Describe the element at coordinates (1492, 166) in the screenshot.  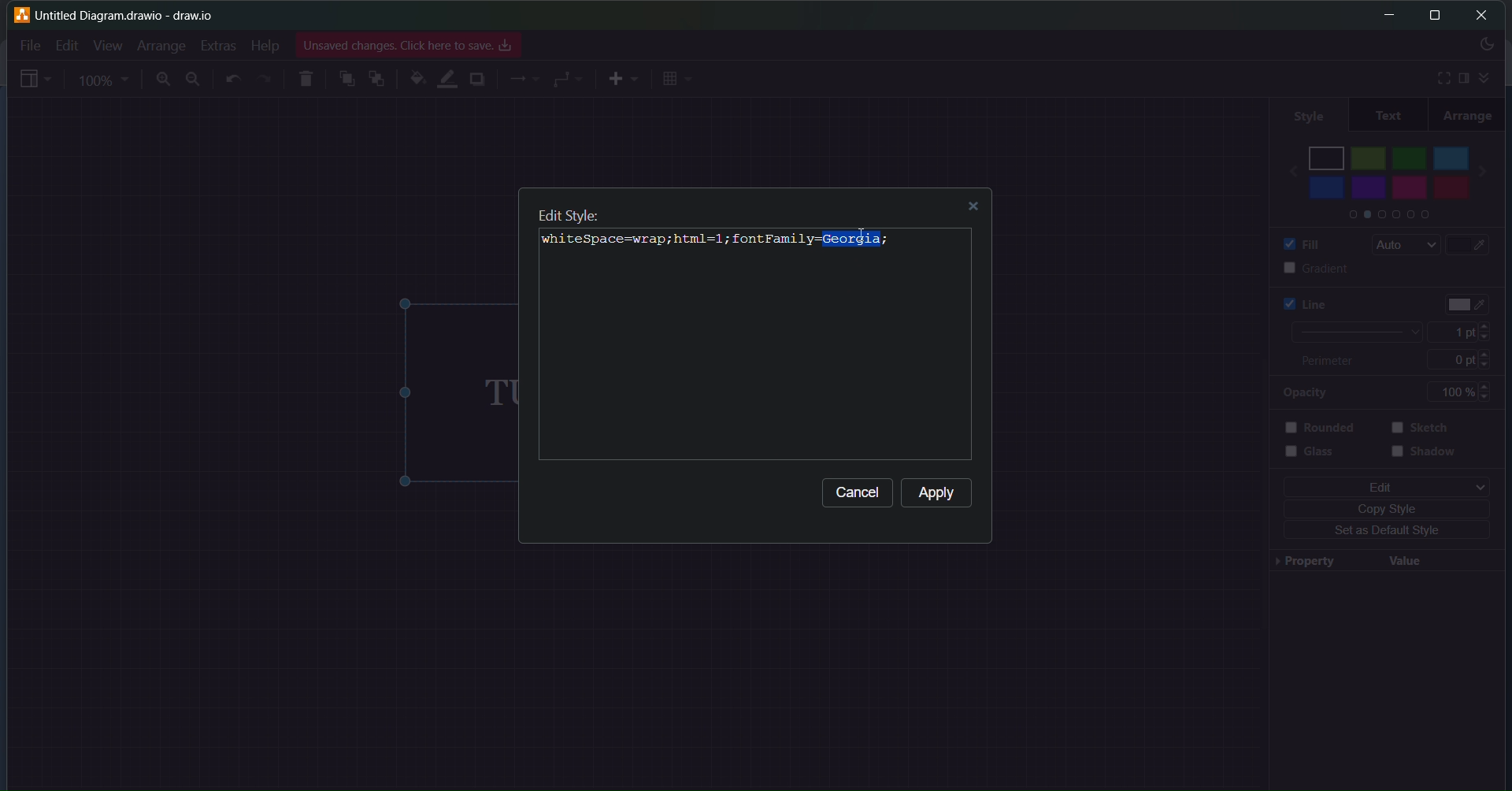
I see `next` at that location.